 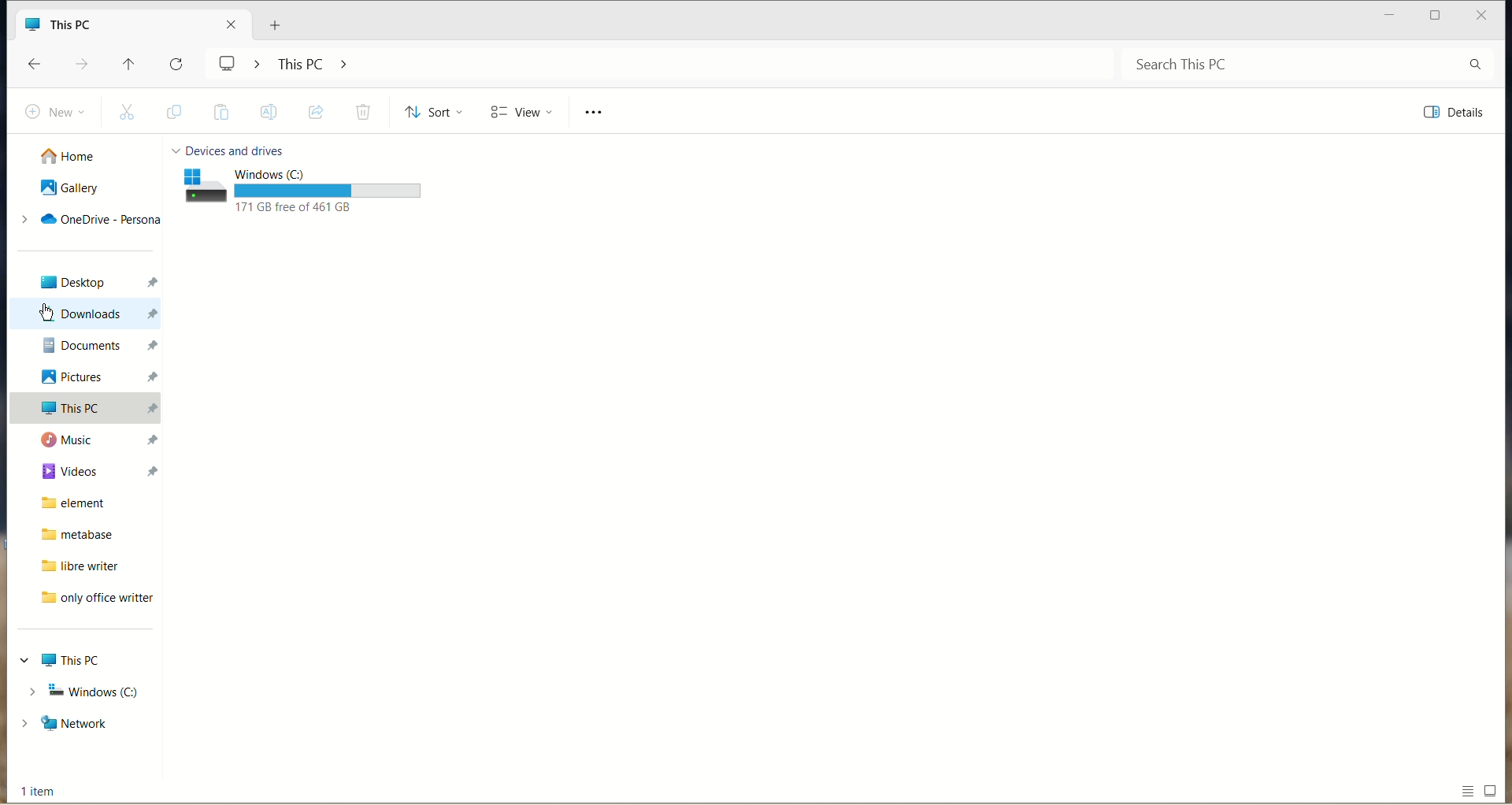 I want to click on delete, so click(x=361, y=111).